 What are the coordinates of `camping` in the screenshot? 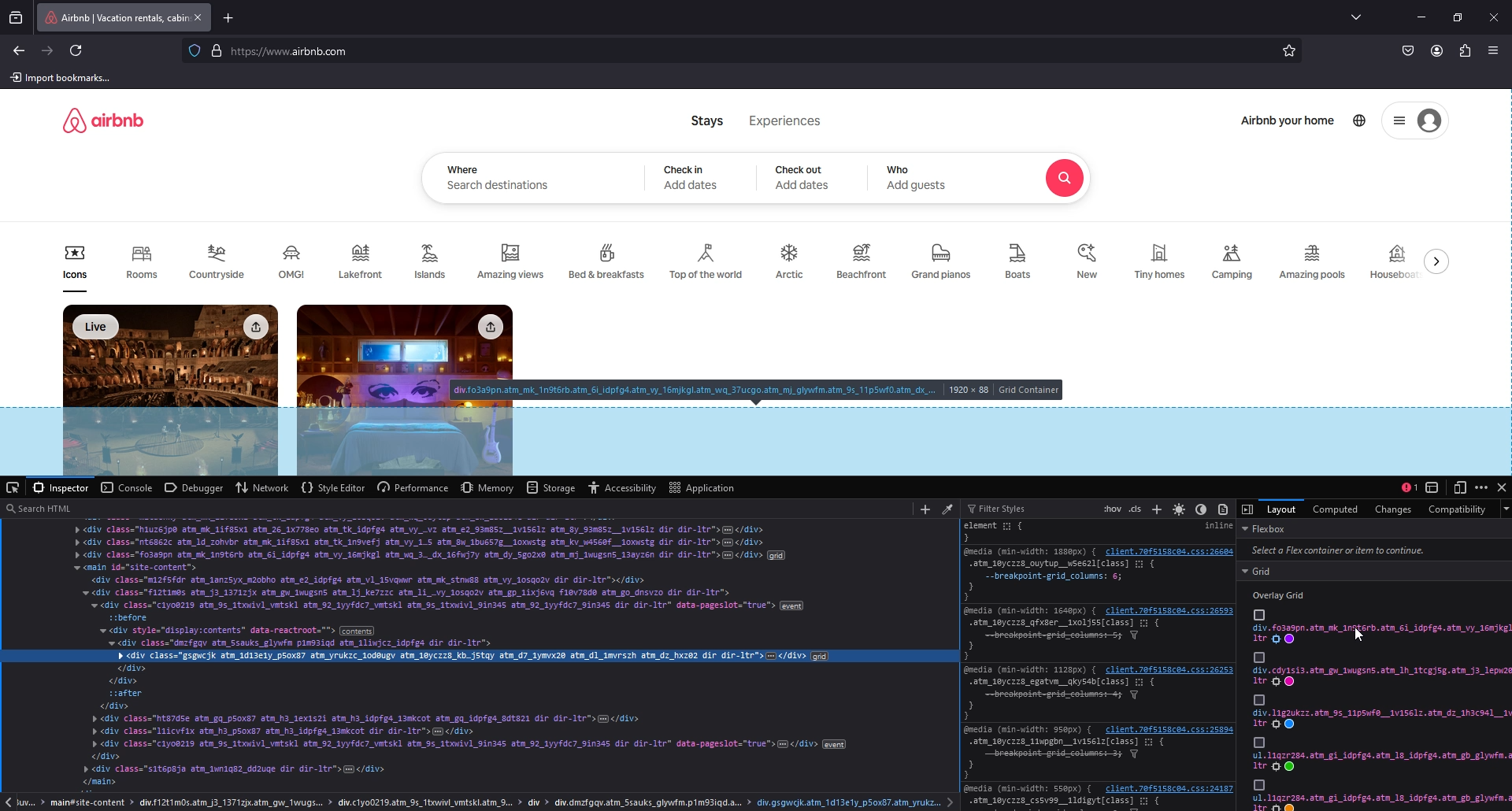 It's located at (1232, 261).